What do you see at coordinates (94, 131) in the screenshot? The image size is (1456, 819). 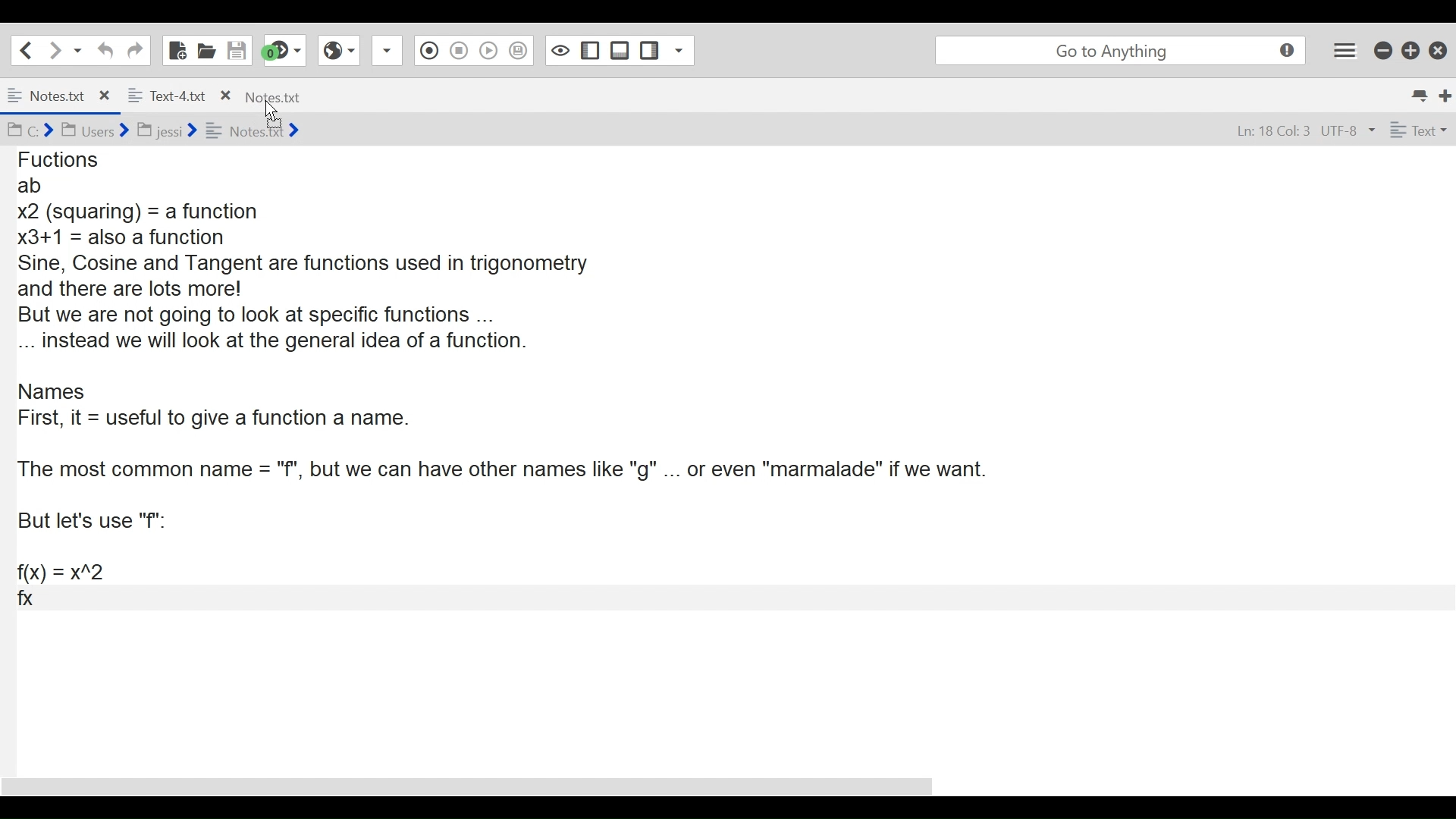 I see `users` at bounding box center [94, 131].